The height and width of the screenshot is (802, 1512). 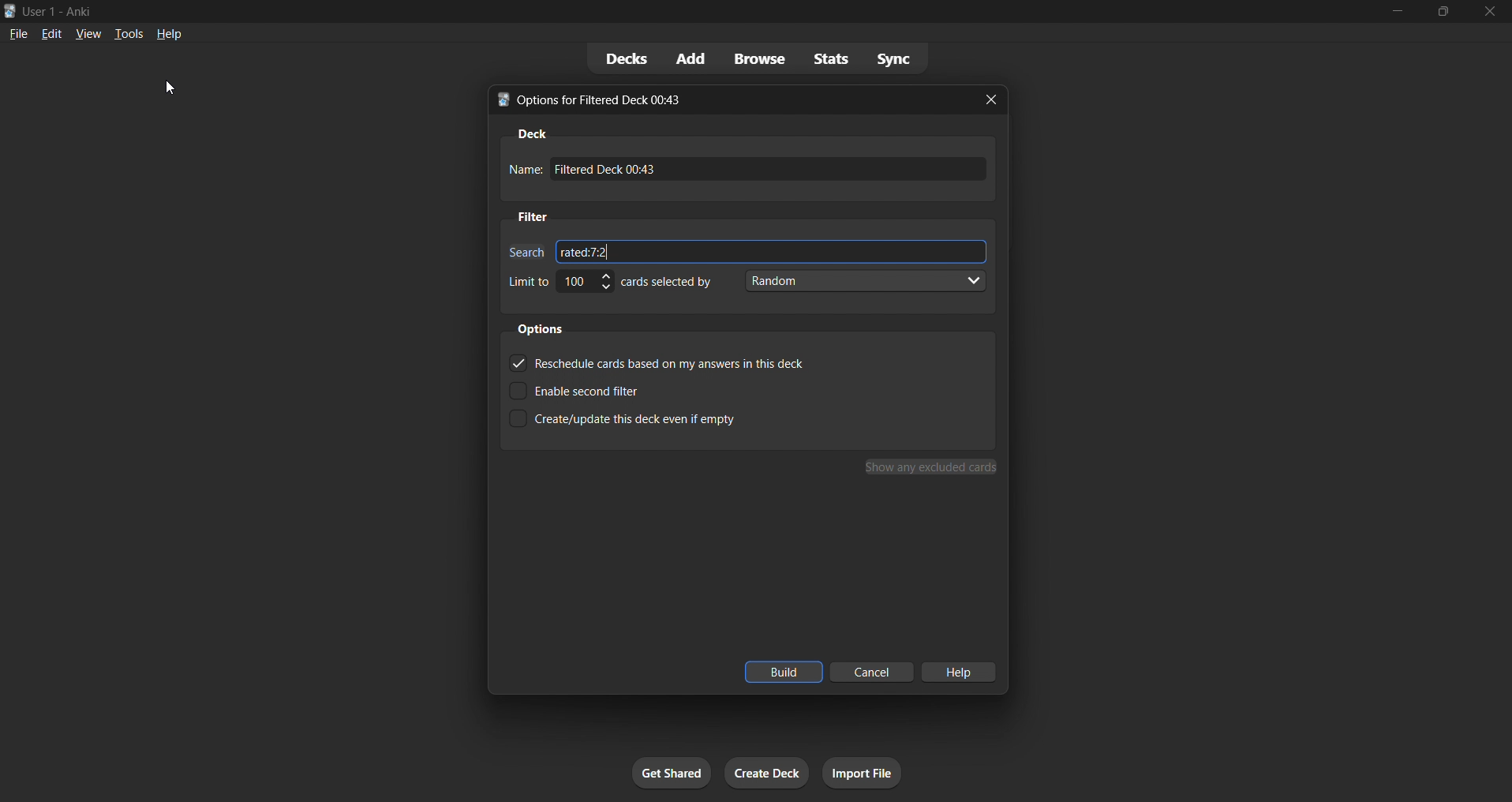 What do you see at coordinates (774, 172) in the screenshot?
I see `filtered deck 00:43` at bounding box center [774, 172].